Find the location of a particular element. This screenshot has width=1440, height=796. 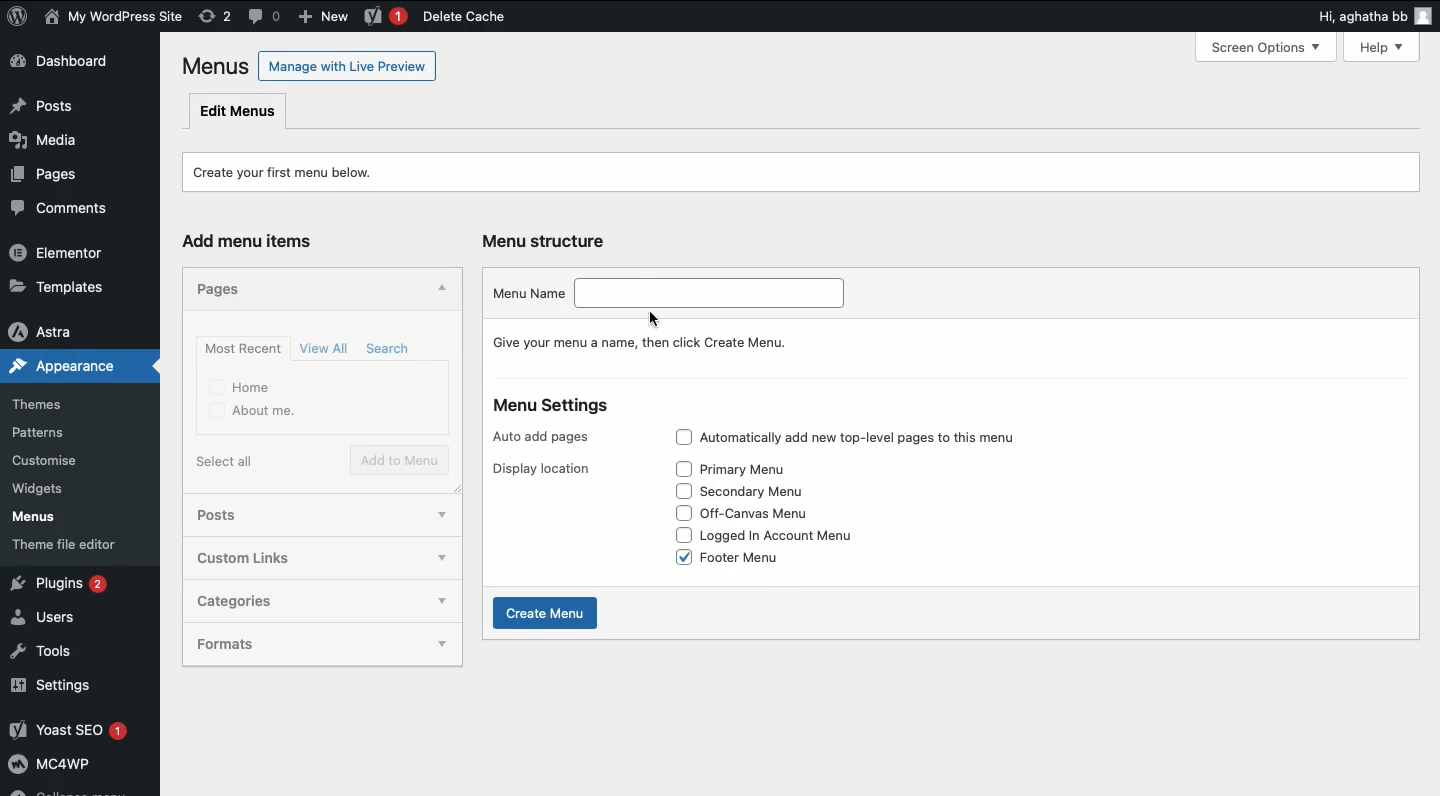

Footer menu is located at coordinates (752, 558).